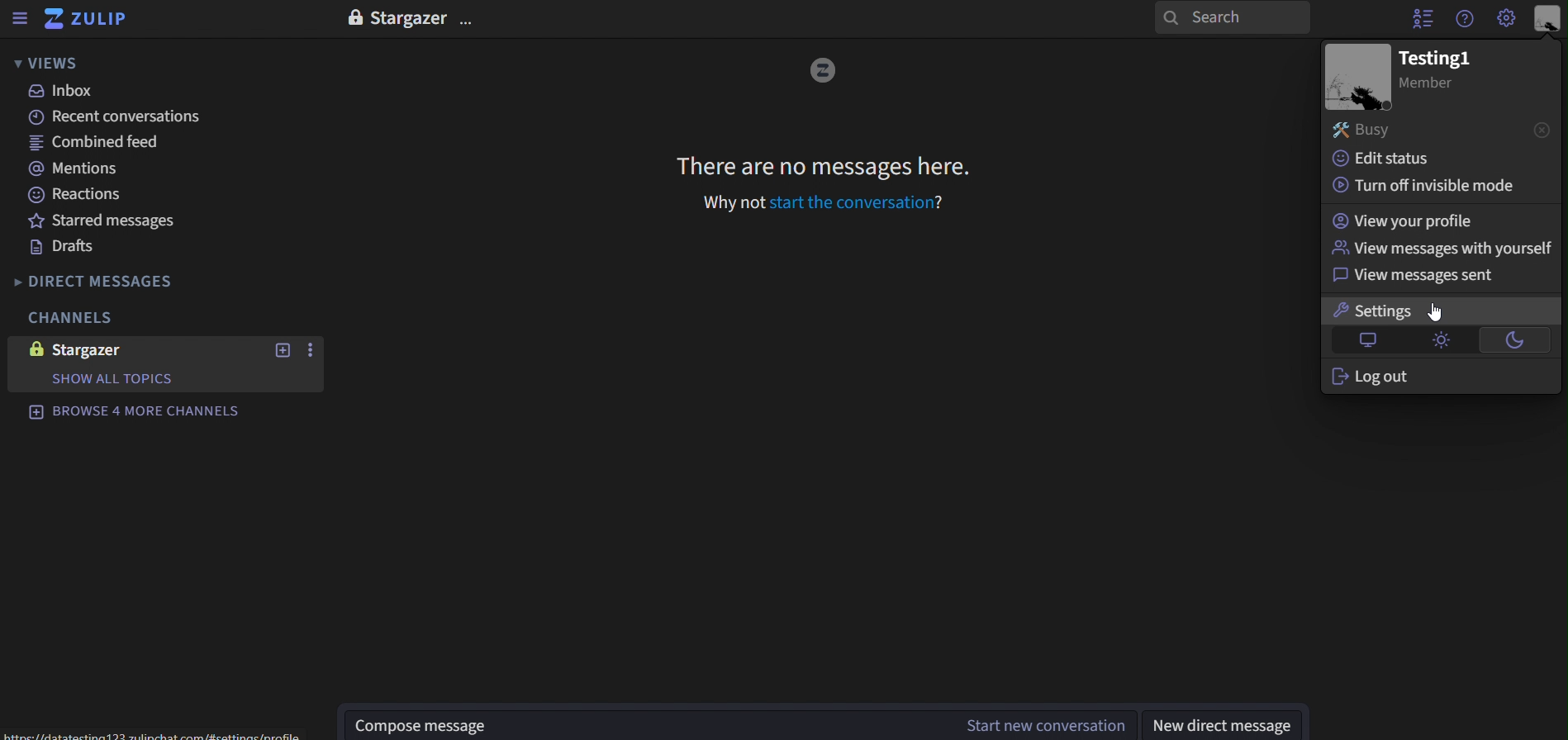  Describe the element at coordinates (1399, 159) in the screenshot. I see `edit status` at that location.